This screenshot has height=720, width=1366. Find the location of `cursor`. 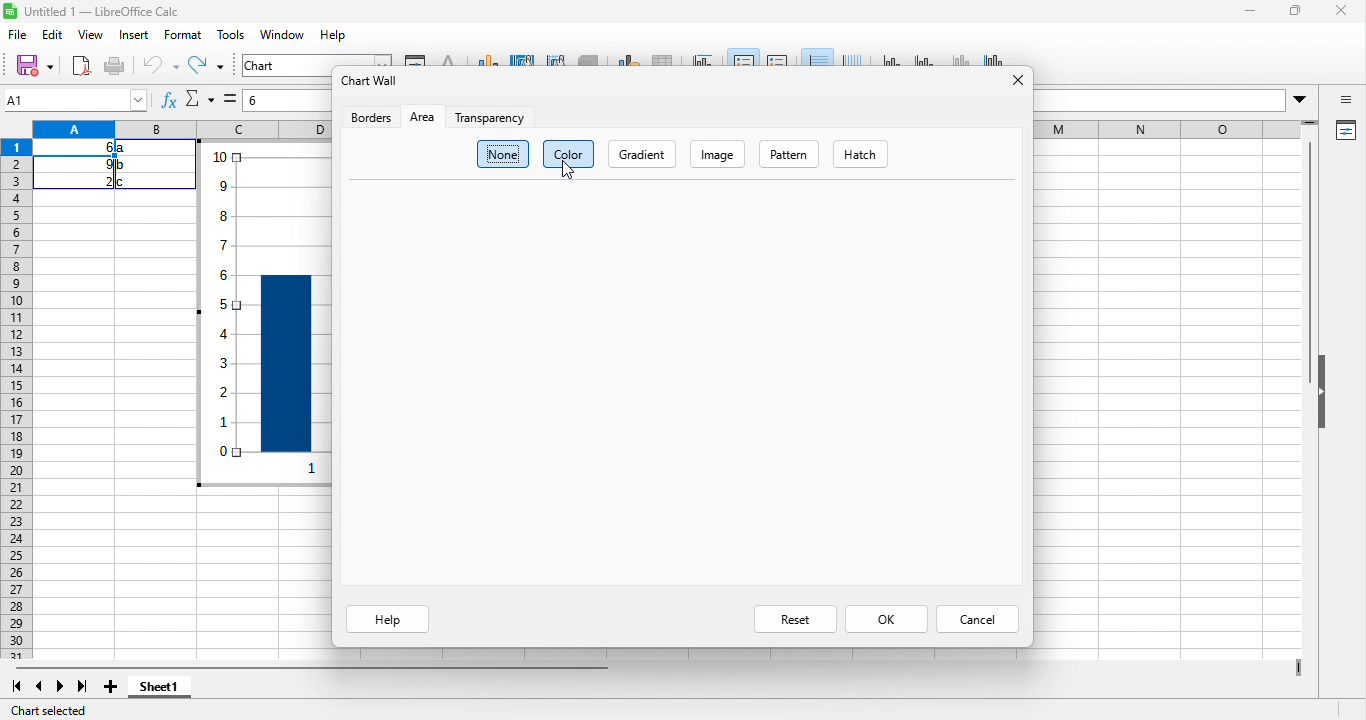

cursor is located at coordinates (571, 172).